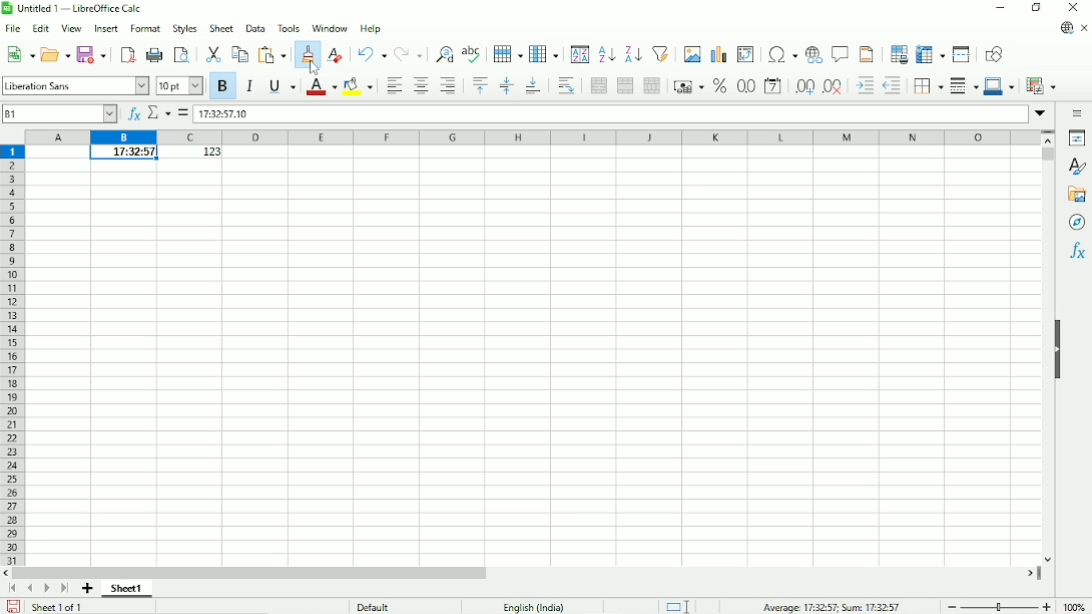 The image size is (1092, 614). I want to click on Headers and footers, so click(867, 54).